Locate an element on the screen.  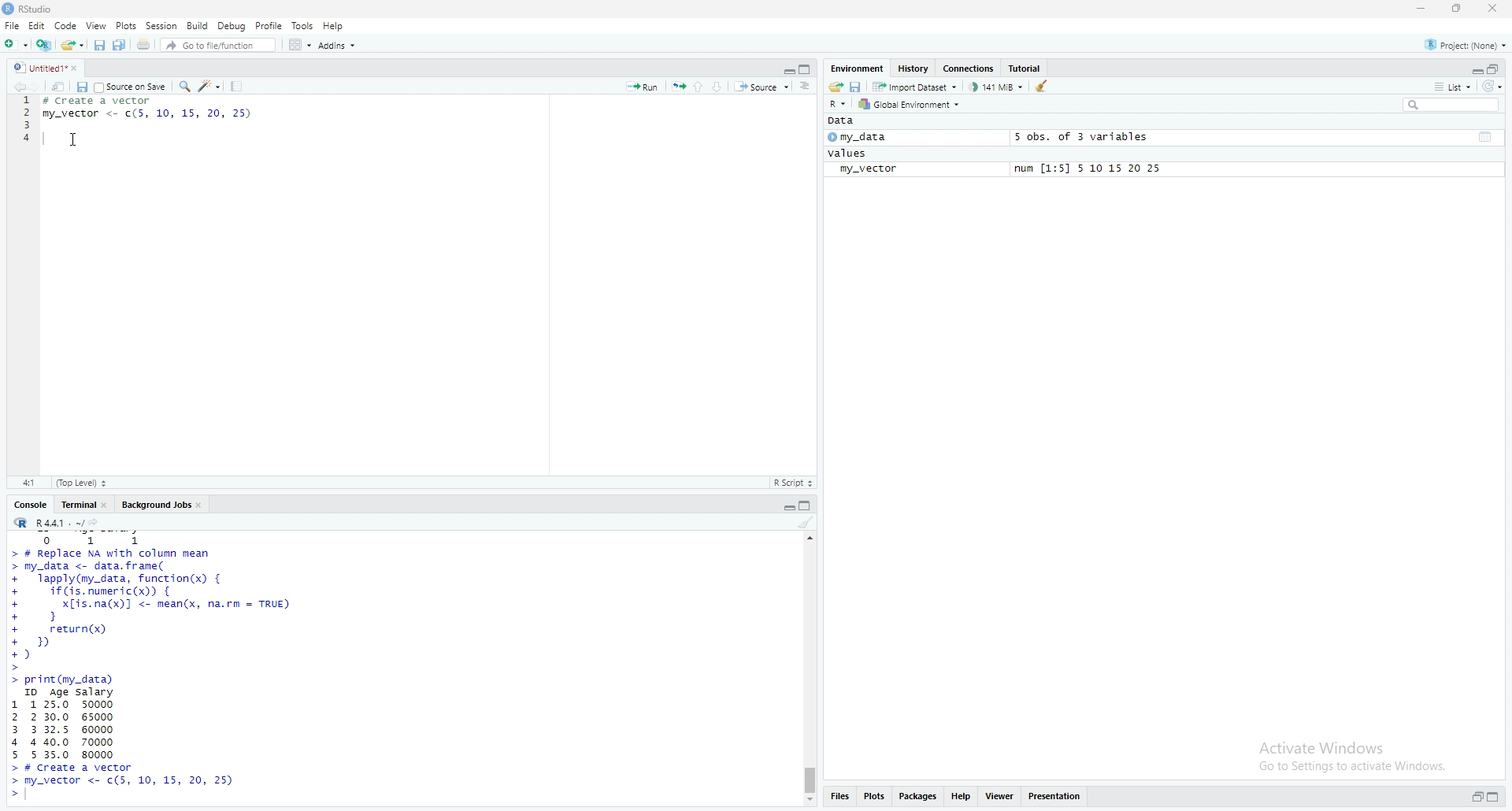
minimize is located at coordinates (1420, 9).